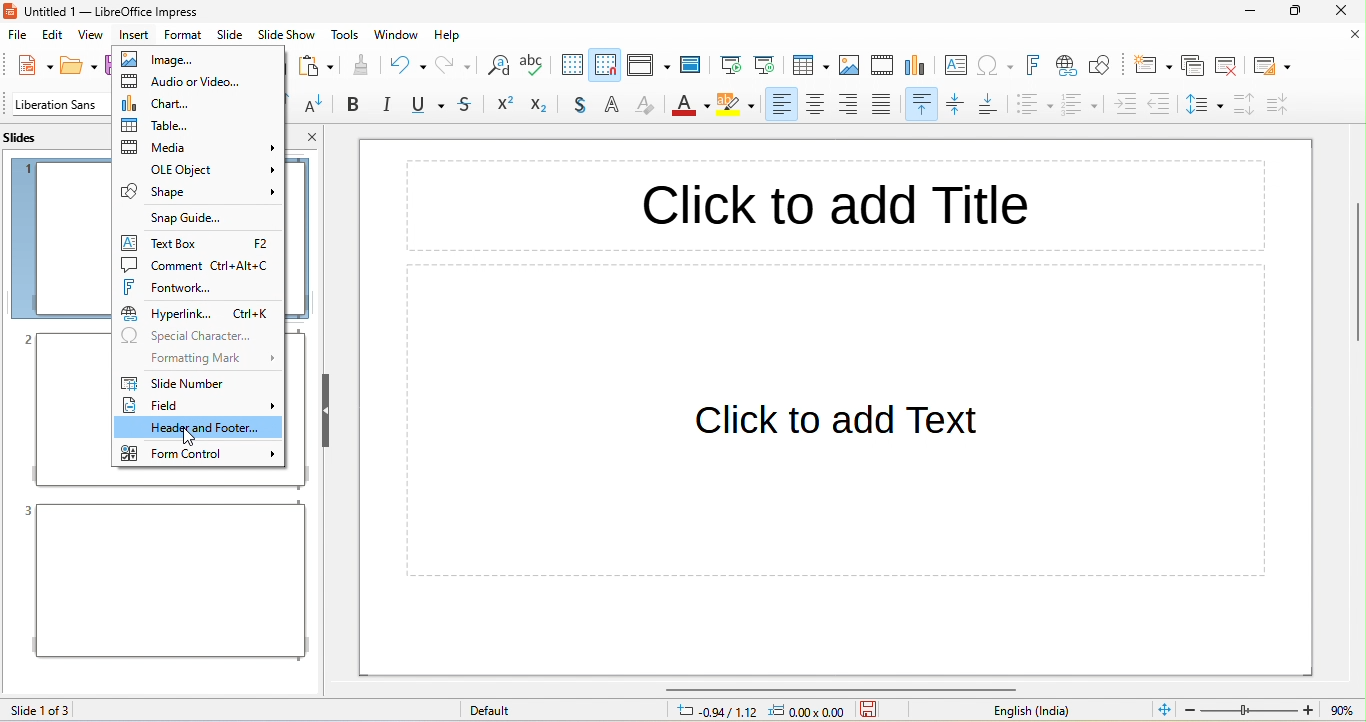 This screenshot has width=1366, height=722. I want to click on formatting mark, so click(205, 360).